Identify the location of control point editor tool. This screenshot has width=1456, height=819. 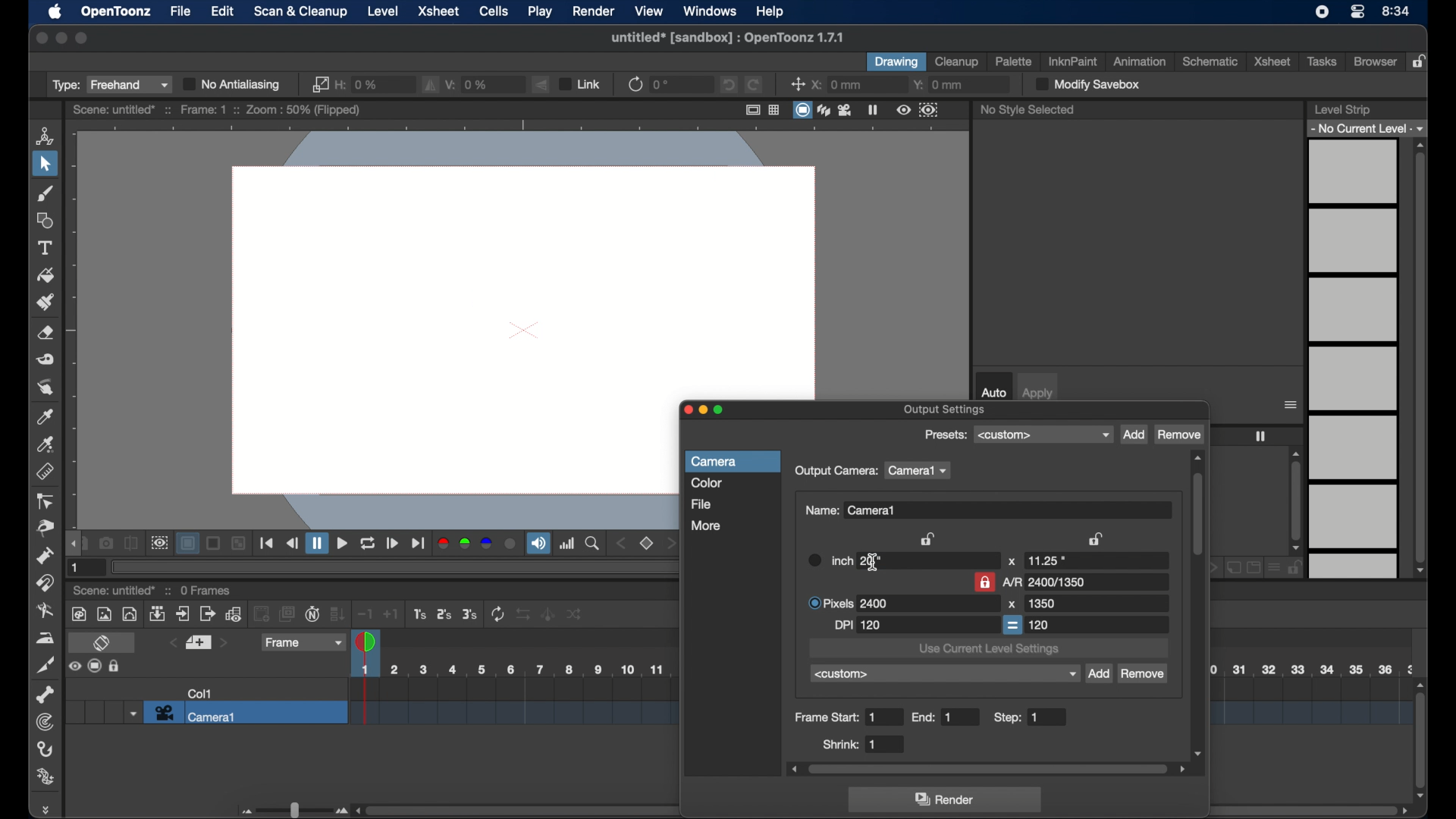
(46, 502).